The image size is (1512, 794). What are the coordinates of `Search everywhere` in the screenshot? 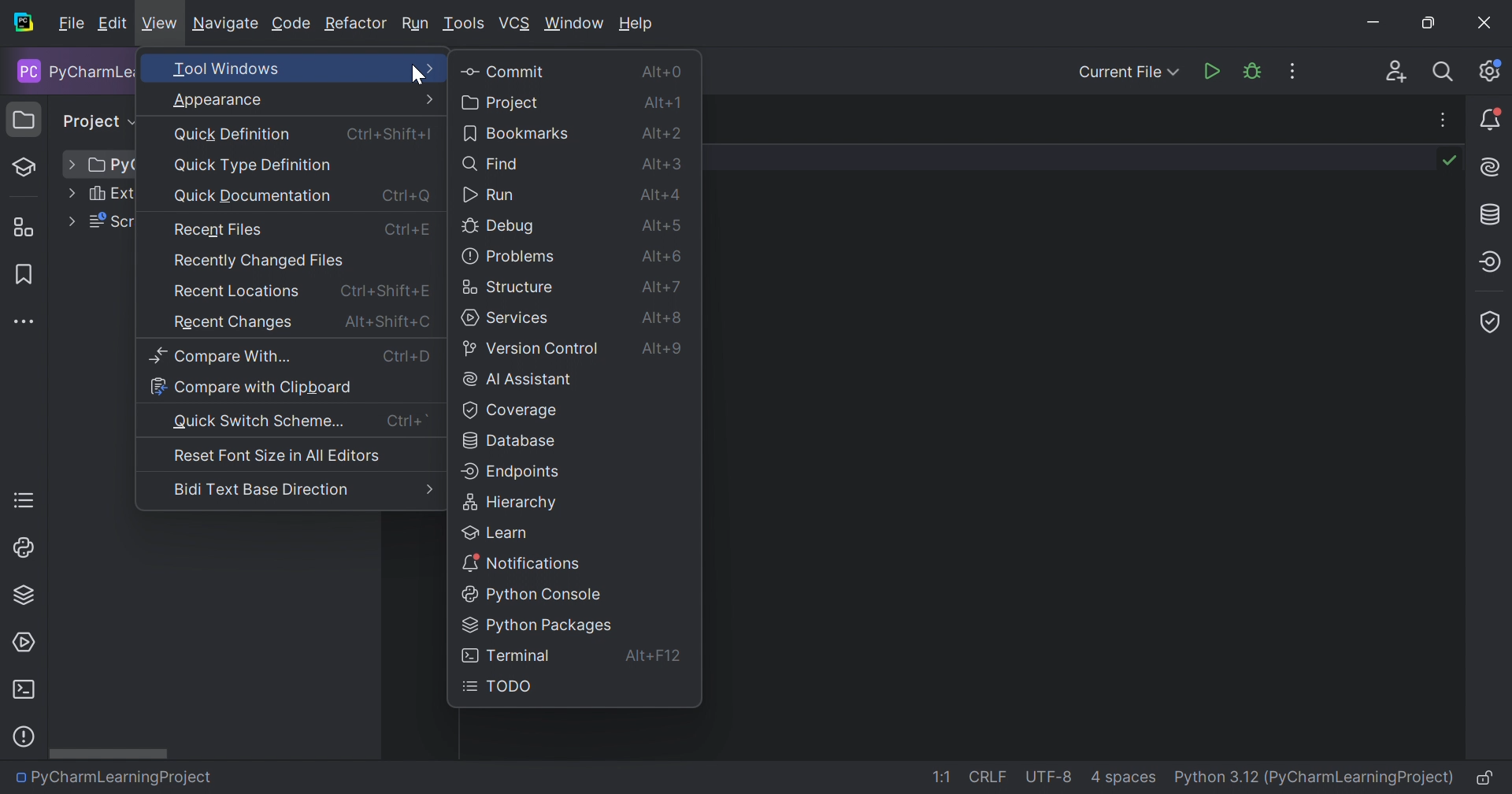 It's located at (1443, 74).